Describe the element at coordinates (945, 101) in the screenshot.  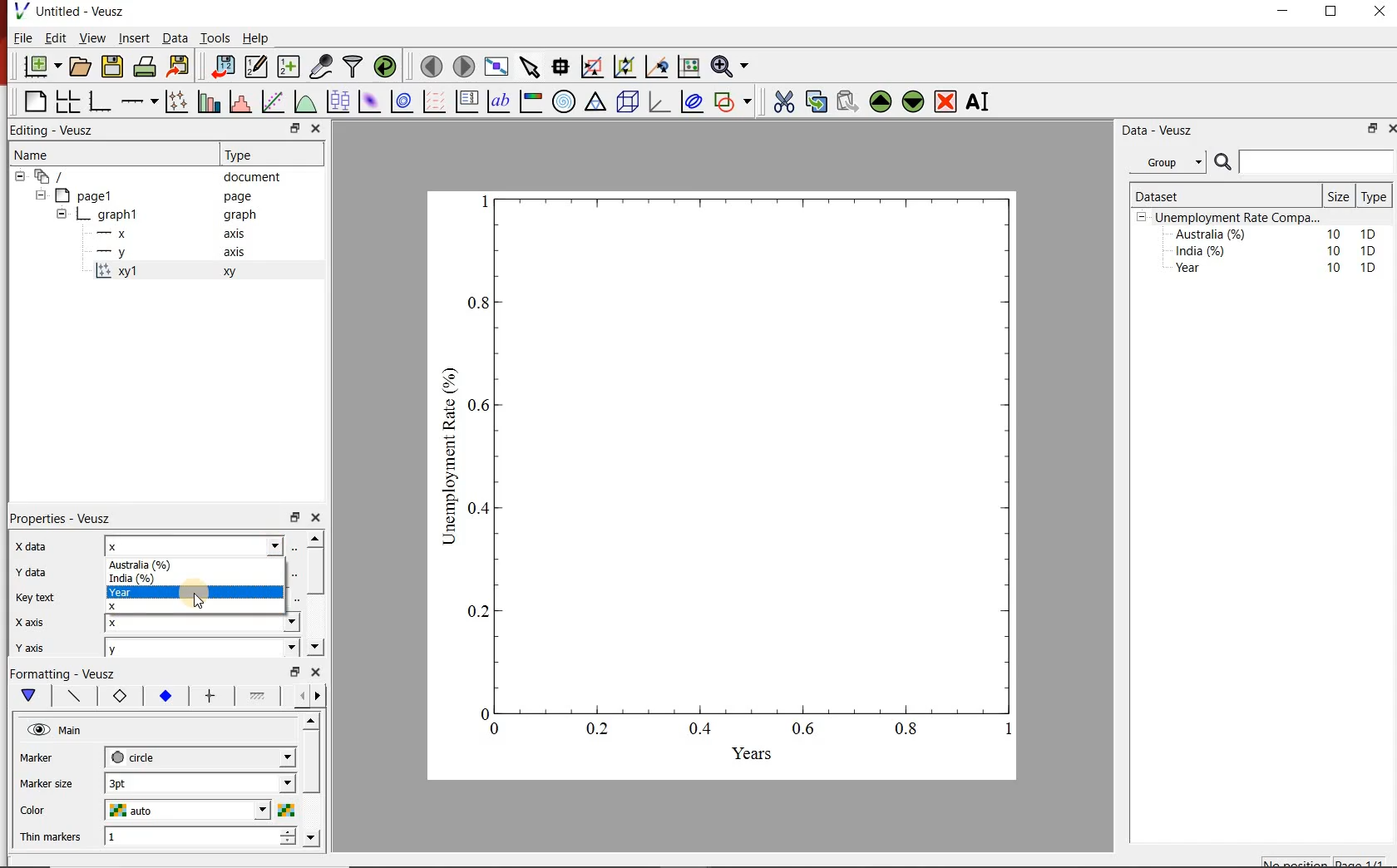
I see `remove the widgets` at that location.